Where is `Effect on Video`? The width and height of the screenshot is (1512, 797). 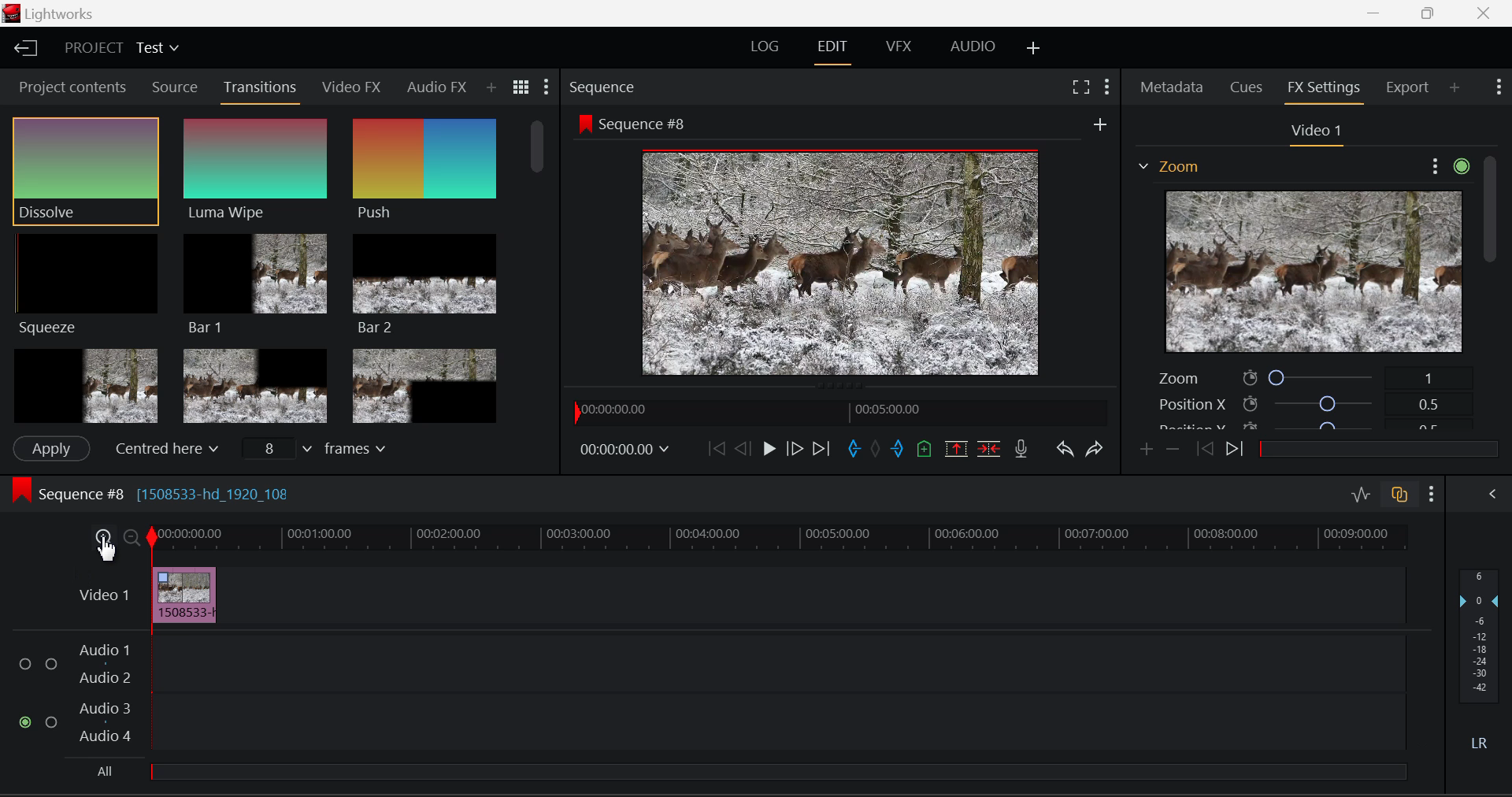 Effect on Video is located at coordinates (1168, 168).